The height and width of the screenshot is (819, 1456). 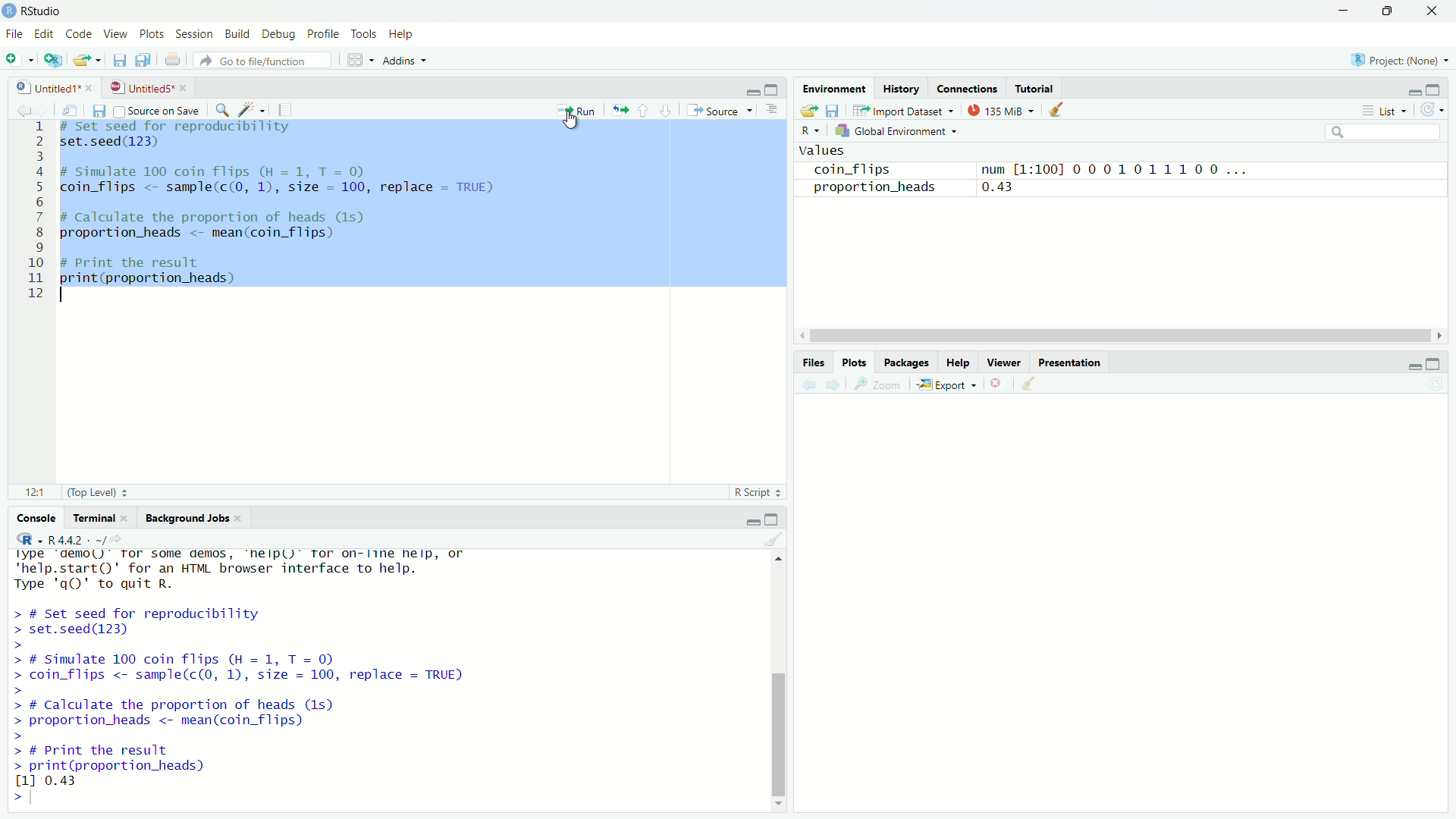 I want to click on source on save, so click(x=156, y=108).